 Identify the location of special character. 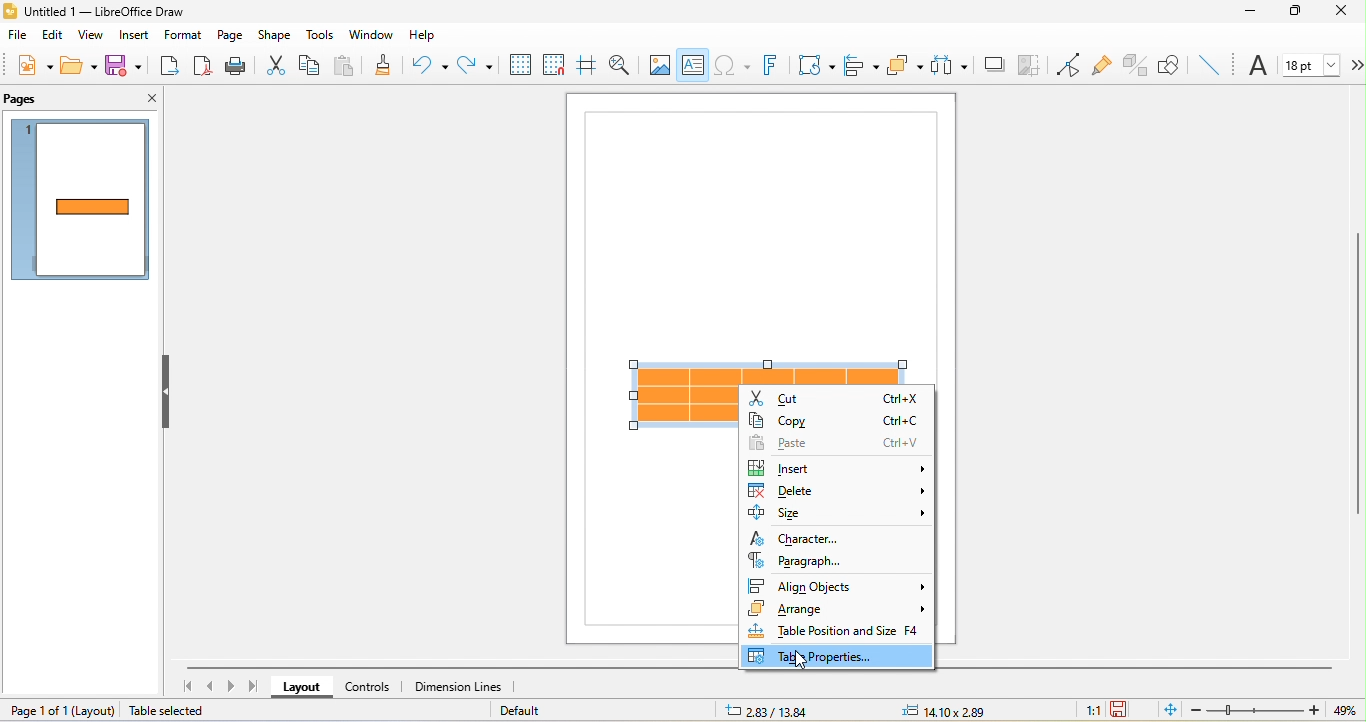
(733, 65).